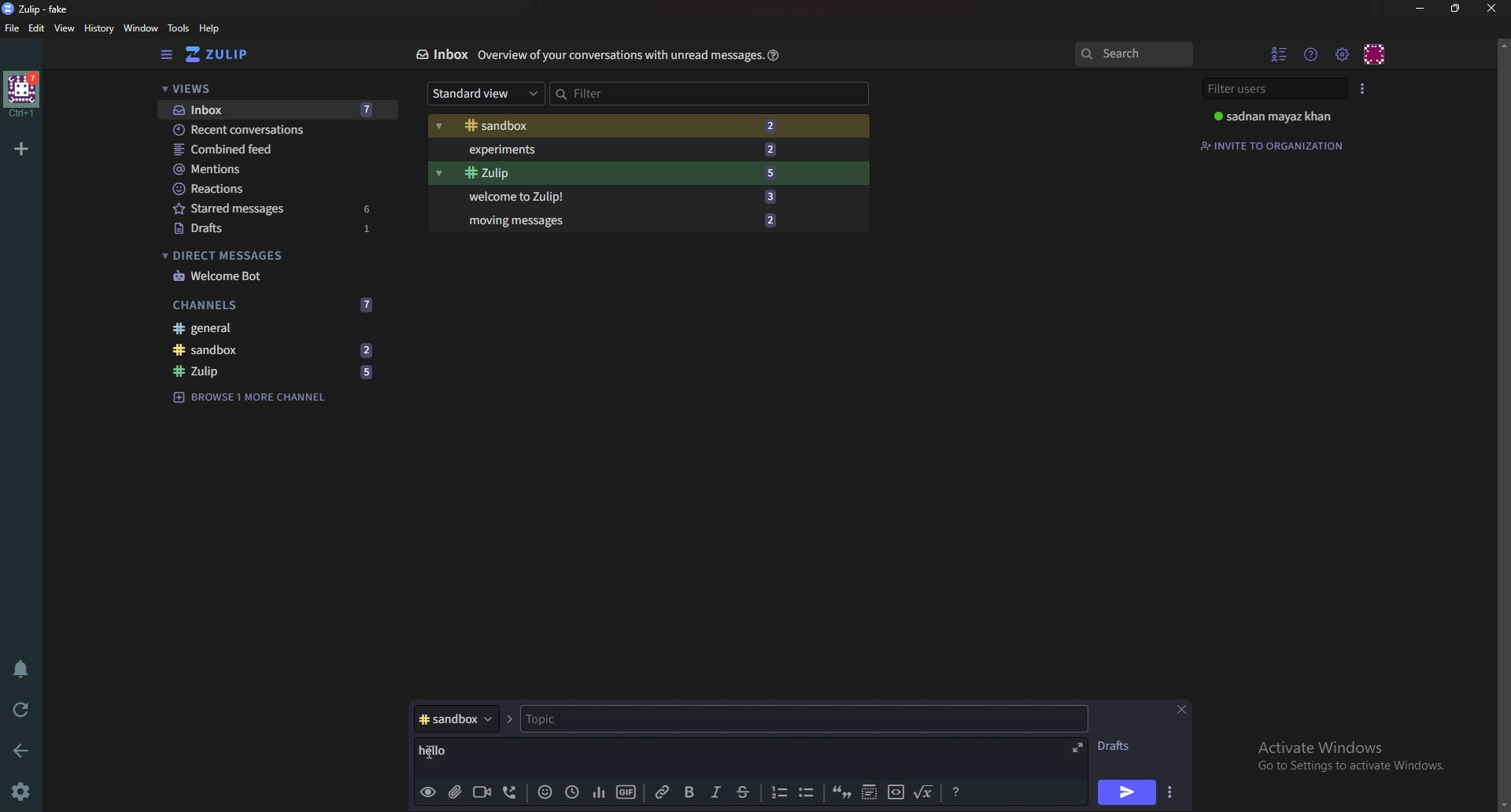 The height and width of the screenshot is (812, 1511). Describe the element at coordinates (1492, 10) in the screenshot. I see `close` at that location.